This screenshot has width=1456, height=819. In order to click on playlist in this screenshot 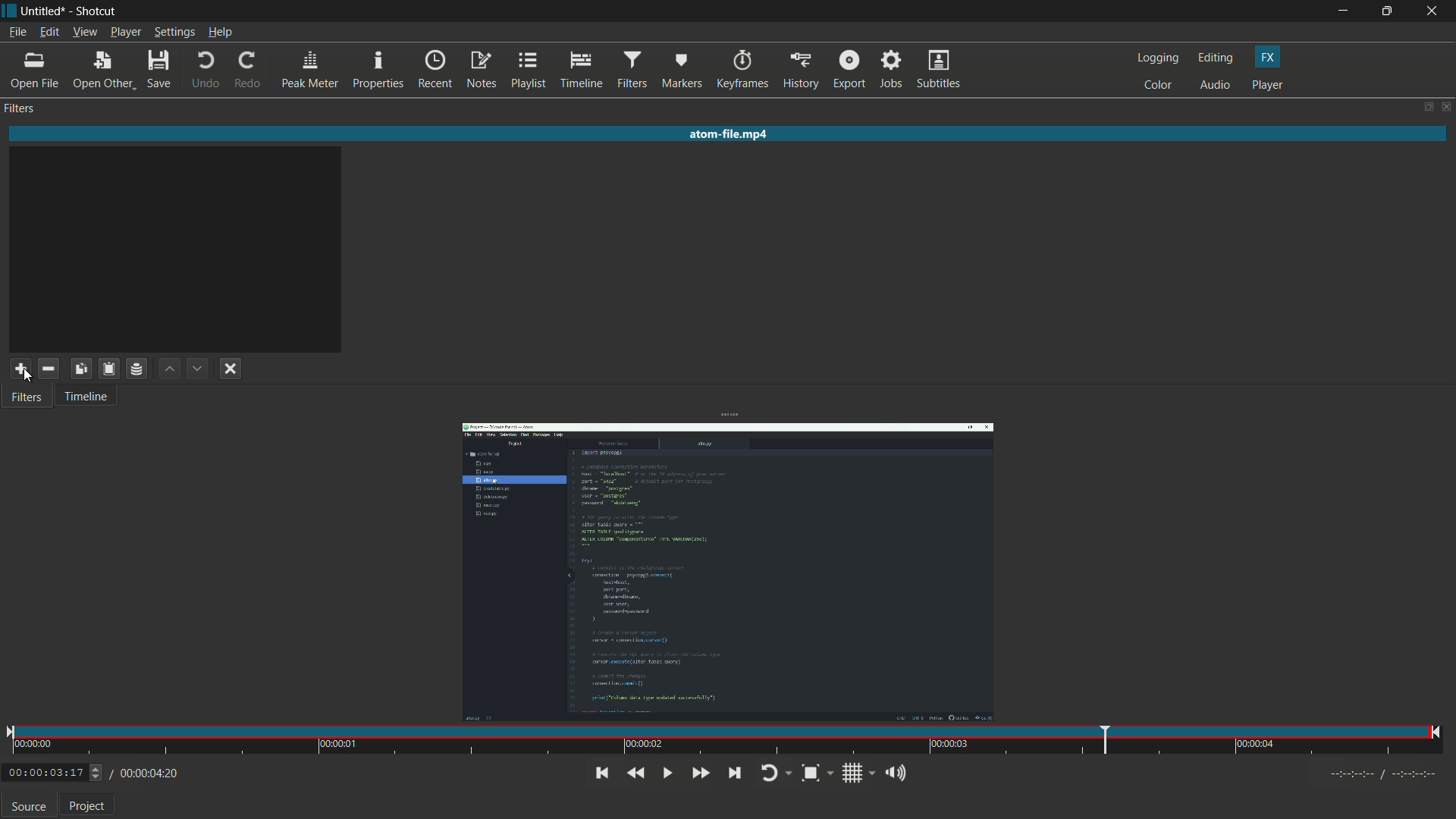, I will do `click(529, 70)`.